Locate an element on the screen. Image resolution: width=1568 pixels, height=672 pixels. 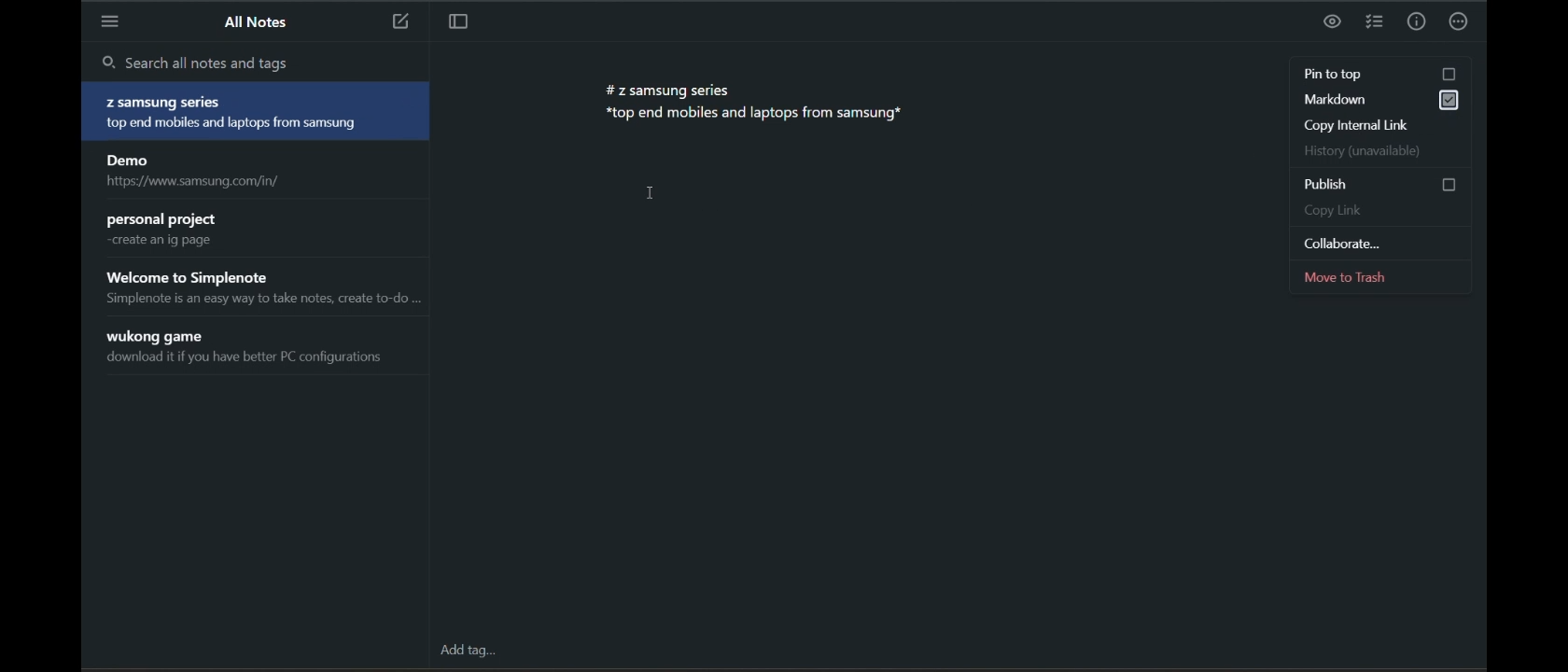
search all notes and tags is located at coordinates (263, 63).